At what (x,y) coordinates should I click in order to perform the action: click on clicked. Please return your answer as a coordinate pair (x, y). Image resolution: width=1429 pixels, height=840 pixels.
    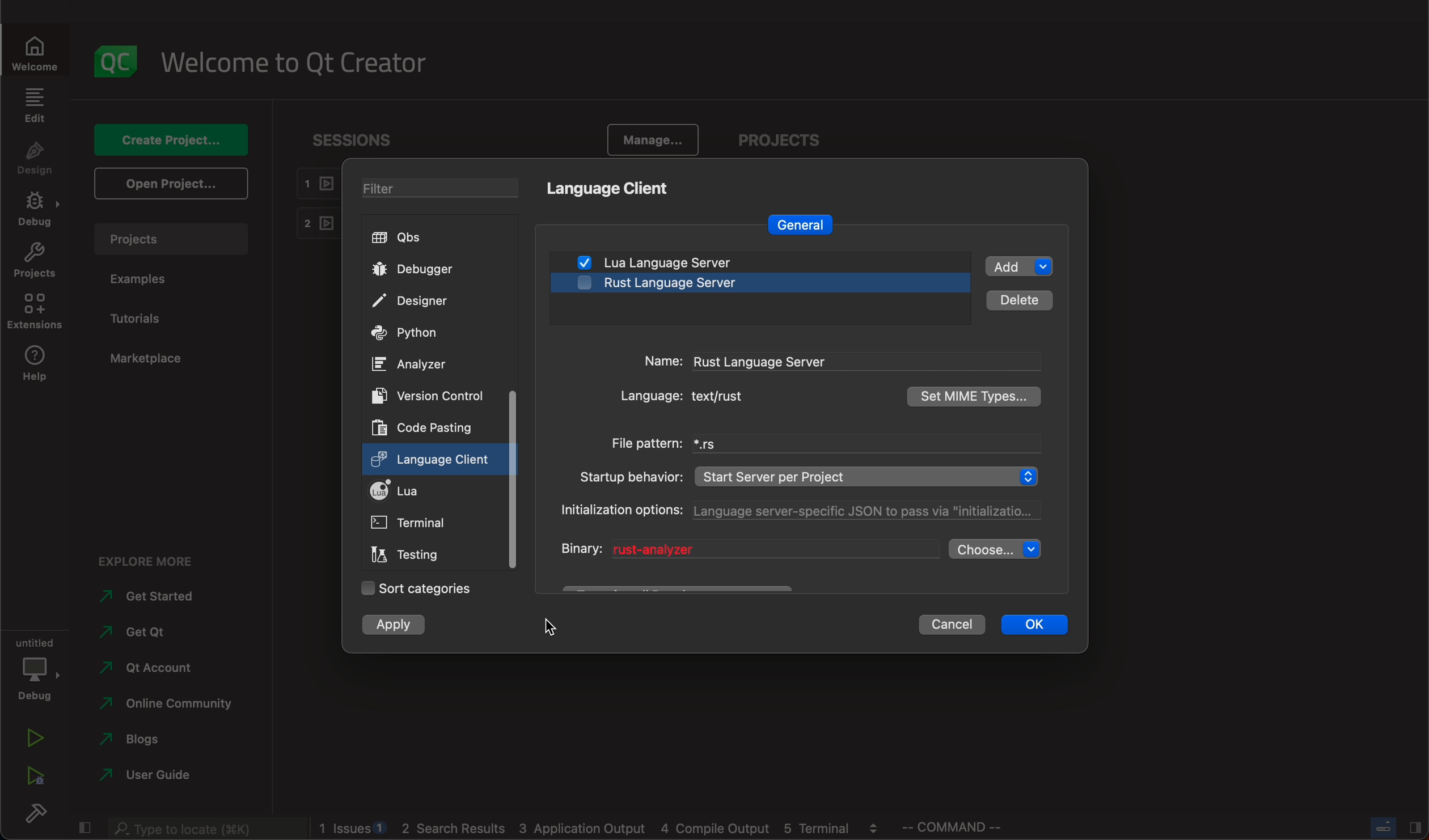
    Looking at the image, I should click on (434, 460).